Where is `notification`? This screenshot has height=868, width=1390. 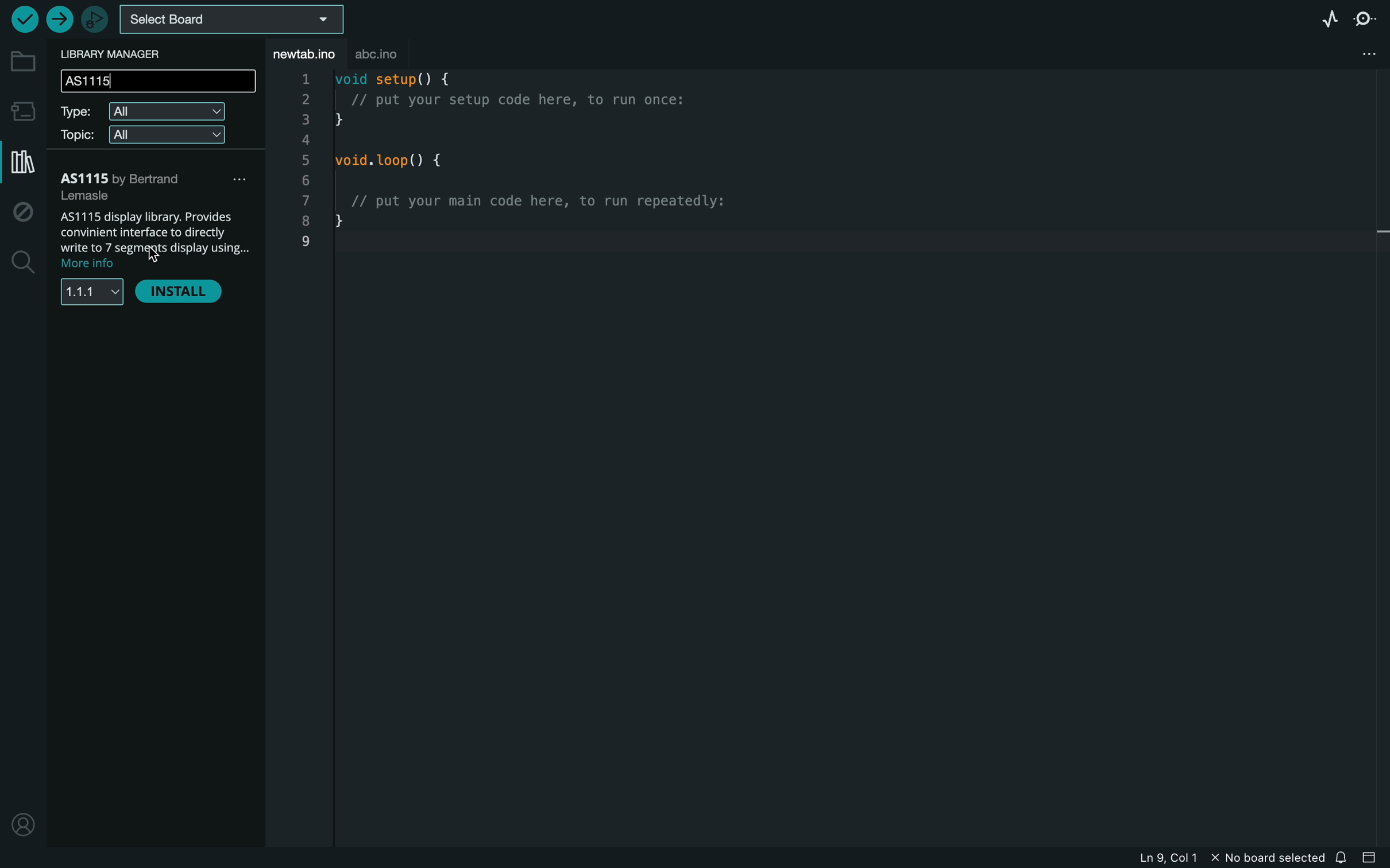
notification is located at coordinates (1341, 859).